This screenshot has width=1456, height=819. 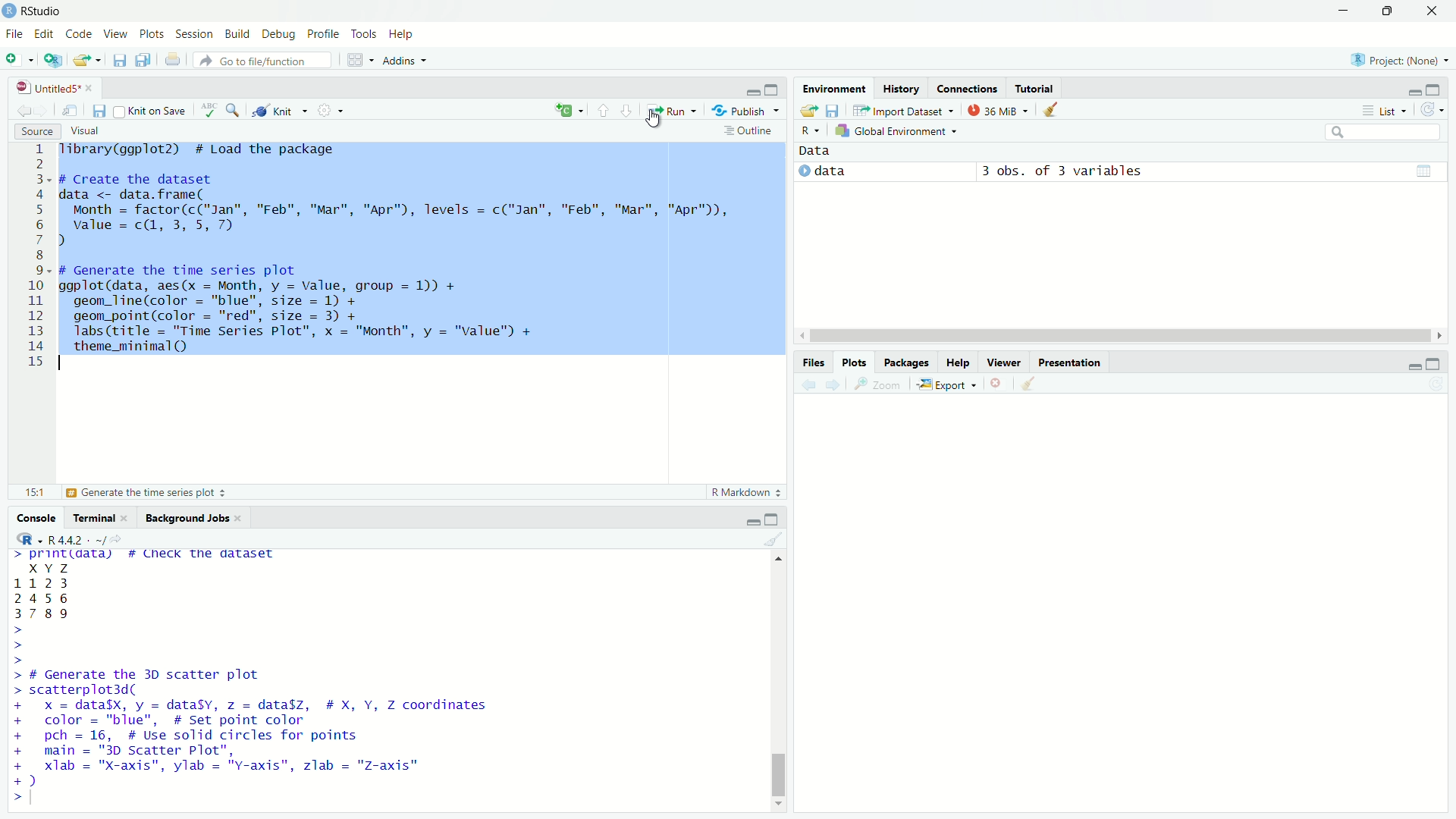 I want to click on save all open documents, so click(x=143, y=60).